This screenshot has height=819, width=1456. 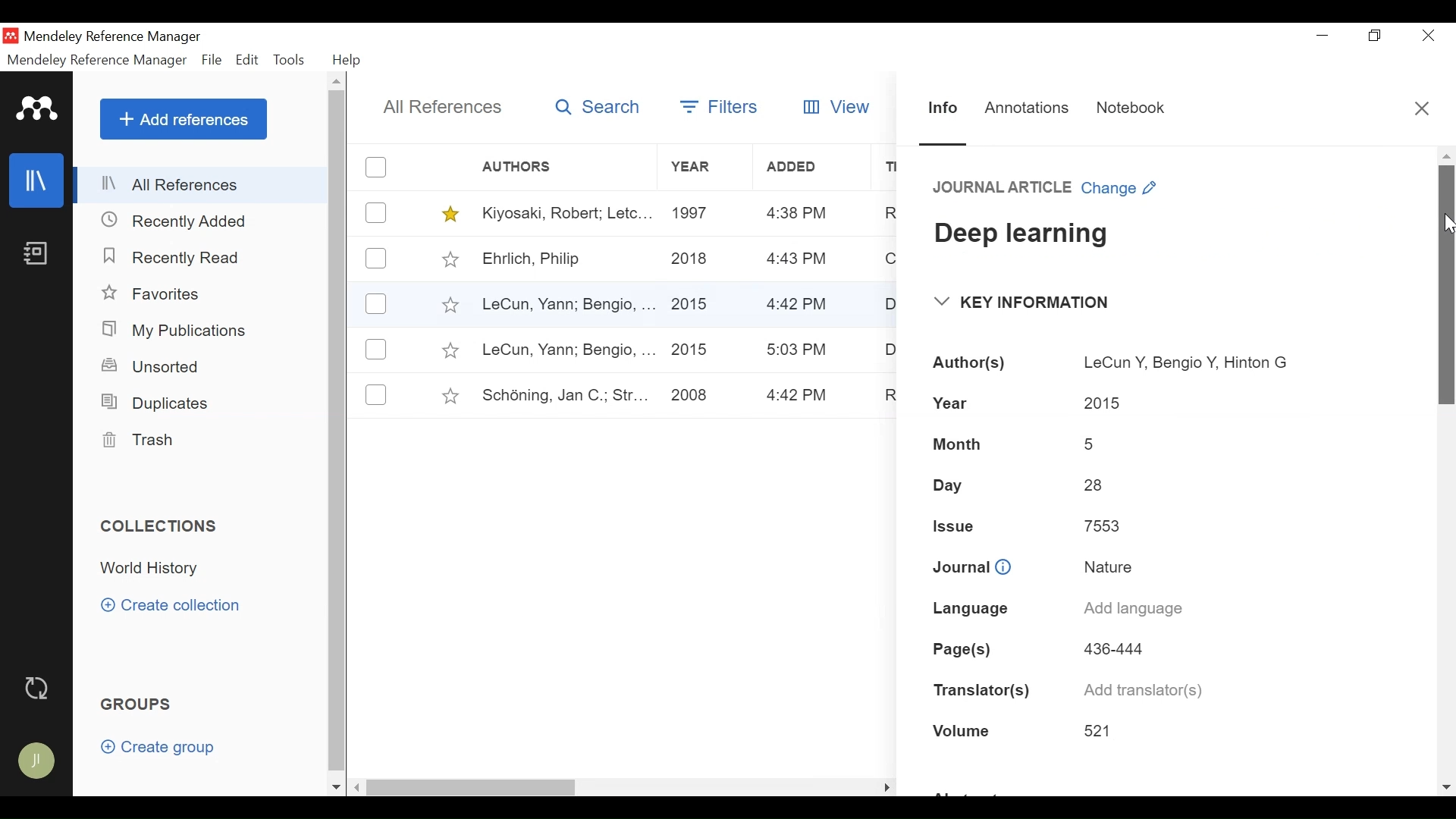 I want to click on 5:03 PM, so click(x=798, y=350).